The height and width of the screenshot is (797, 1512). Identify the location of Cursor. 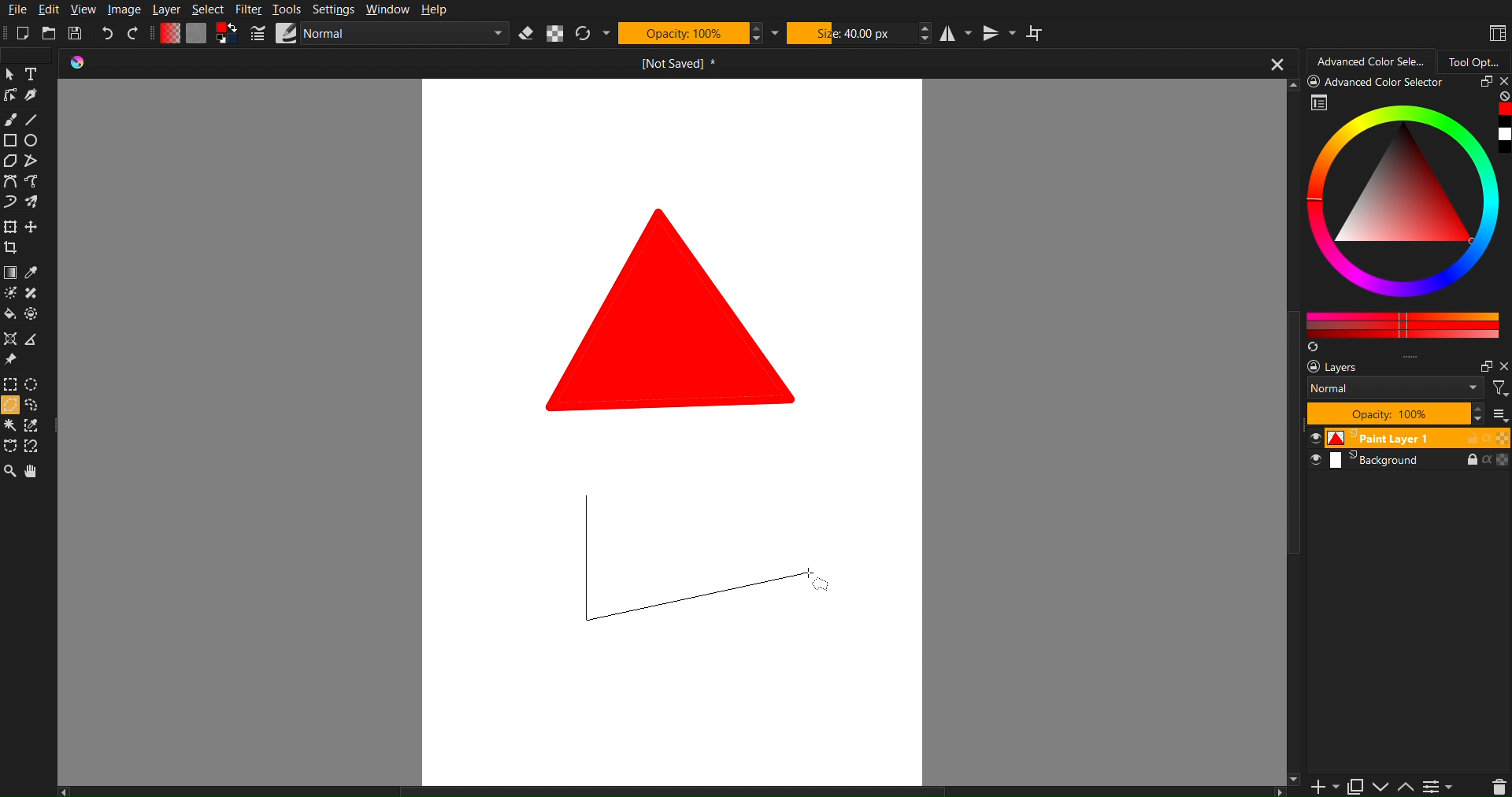
(9, 407).